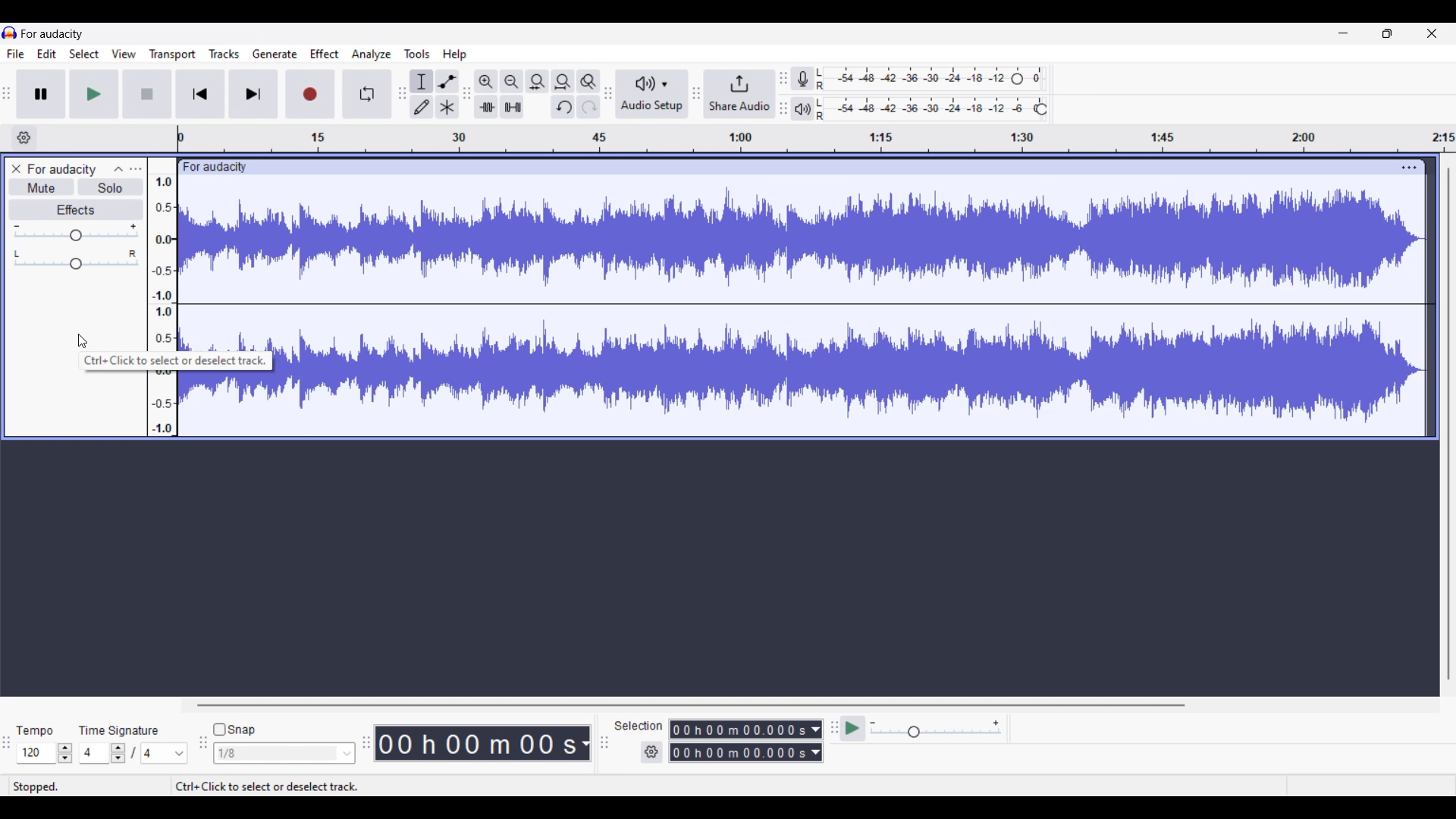 The height and width of the screenshot is (819, 1456). I want to click on Scale to measure length of track, so click(816, 139).